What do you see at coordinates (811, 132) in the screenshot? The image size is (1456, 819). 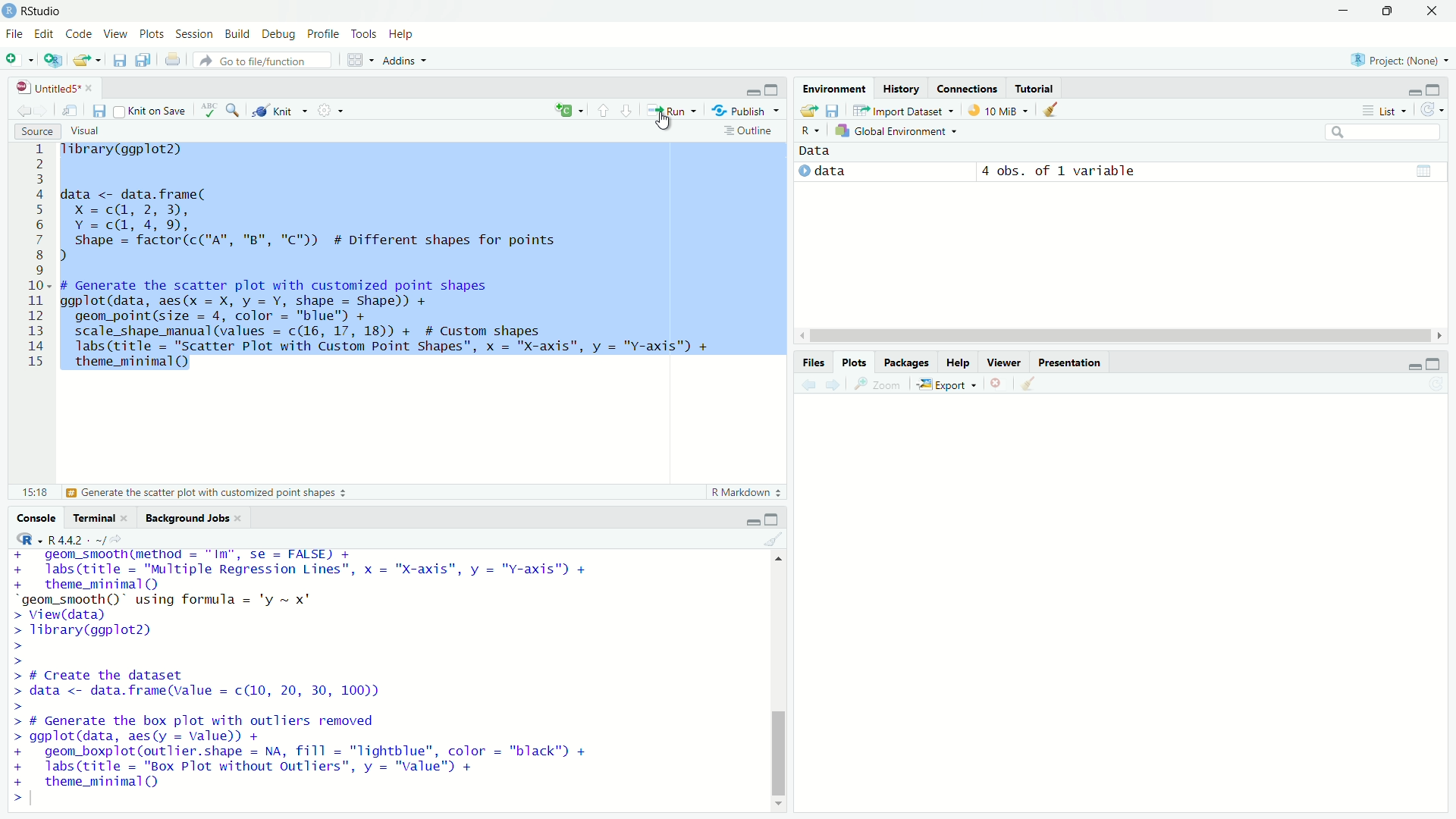 I see `R` at bounding box center [811, 132].